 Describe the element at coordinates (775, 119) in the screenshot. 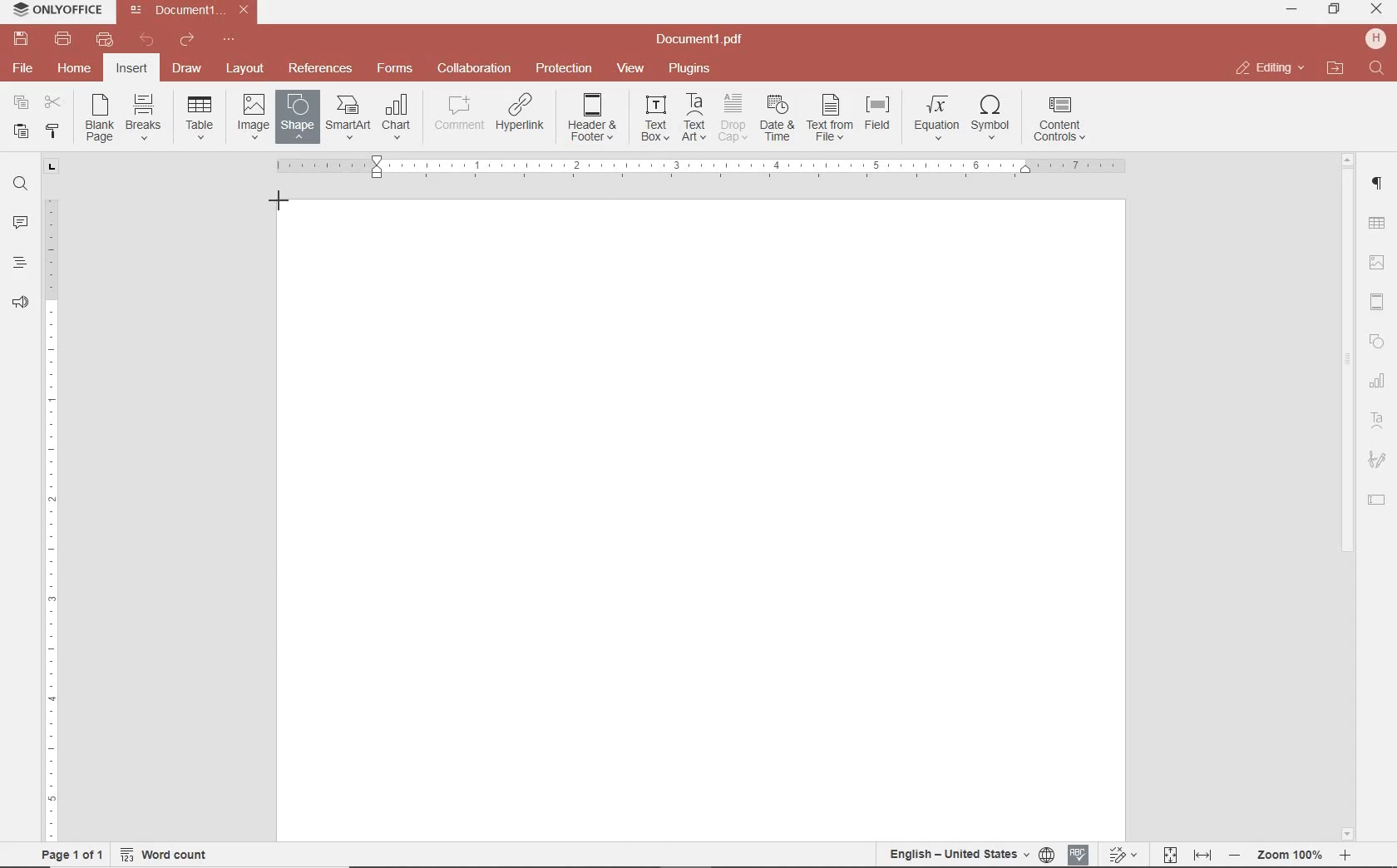

I see `INSERT CURRENT DATE AND TIME` at that location.